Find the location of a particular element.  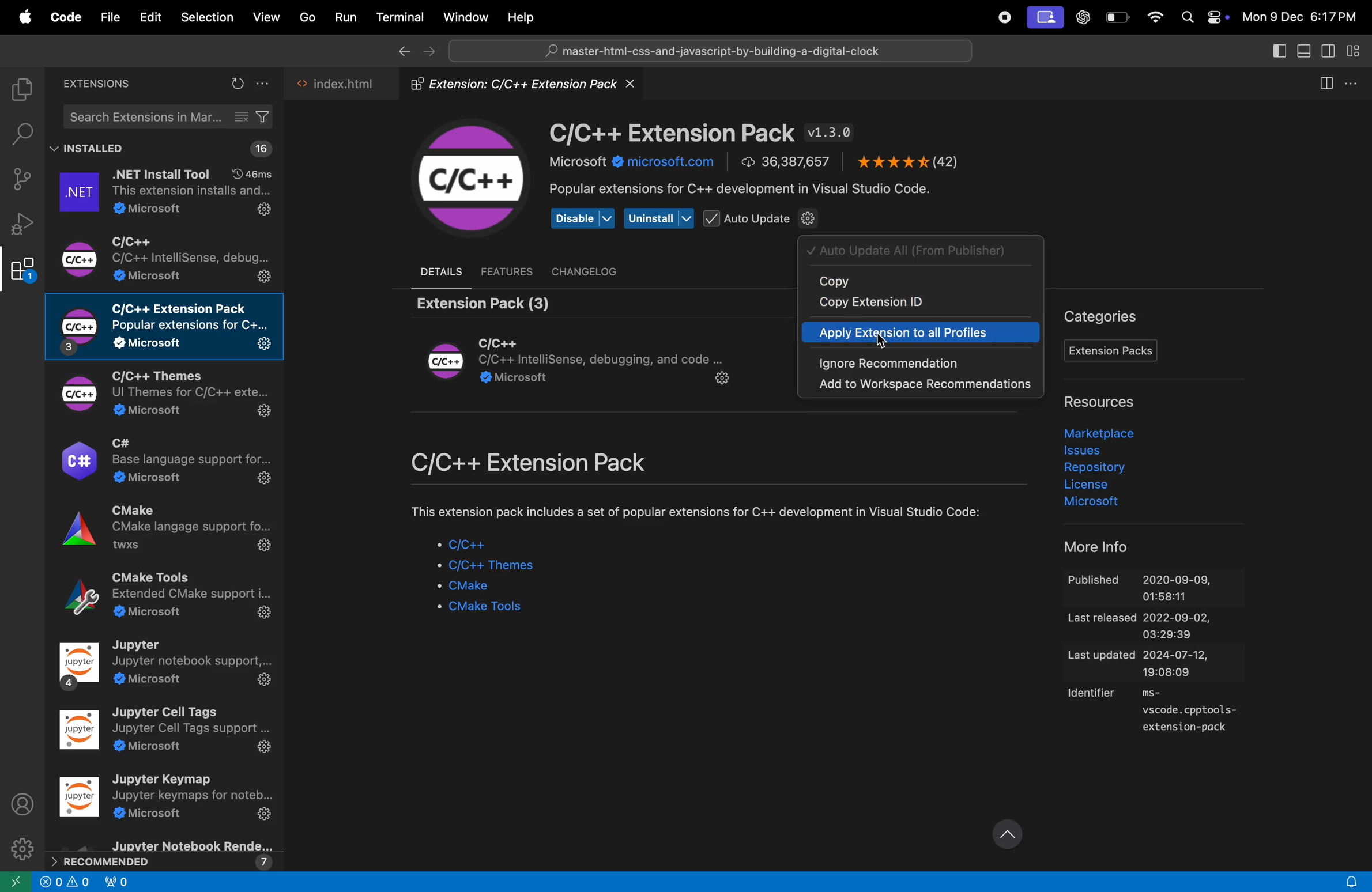

CMake tools extensions is located at coordinates (163, 598).